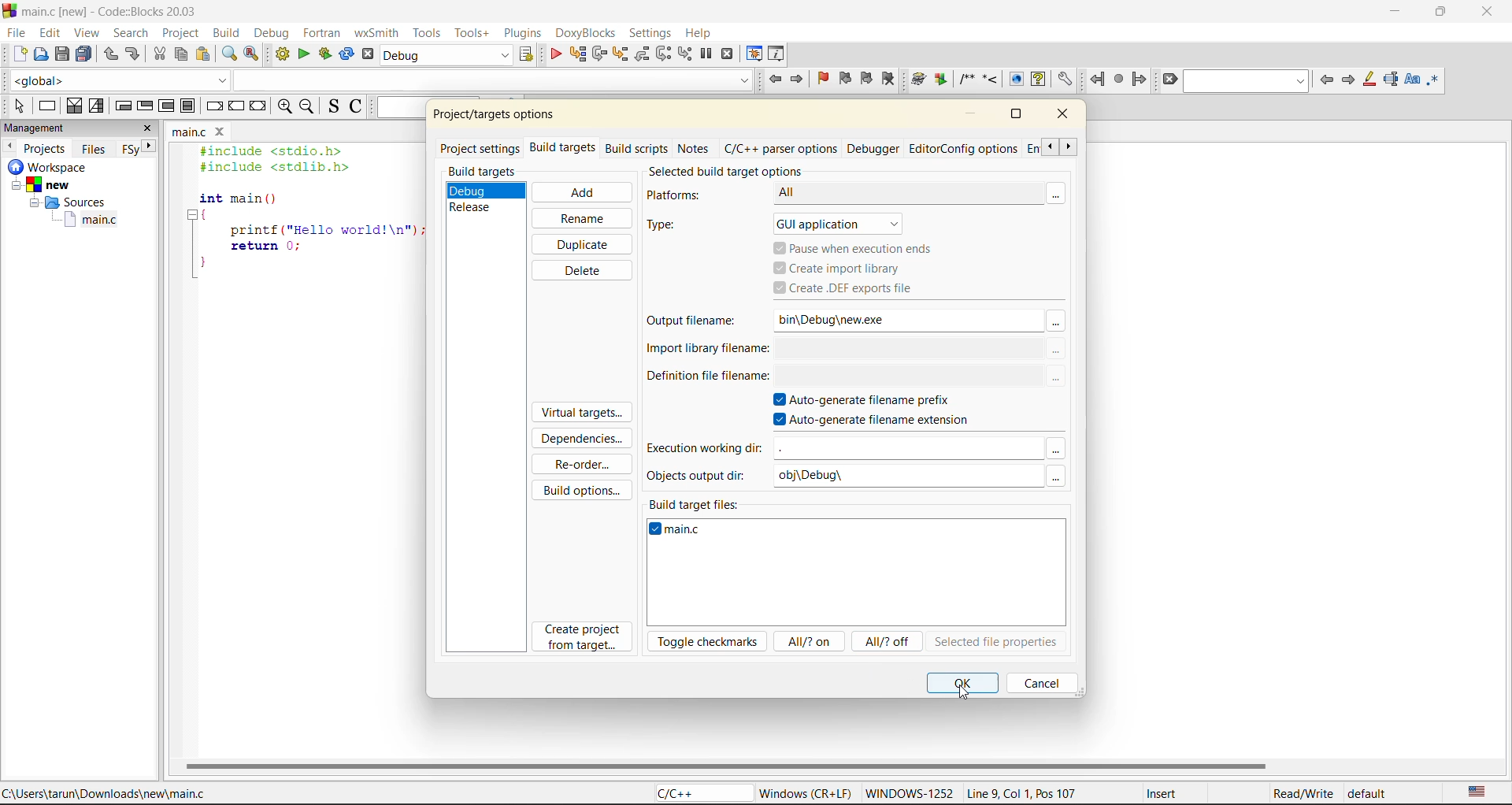  What do you see at coordinates (475, 32) in the screenshot?
I see `tools` at bounding box center [475, 32].